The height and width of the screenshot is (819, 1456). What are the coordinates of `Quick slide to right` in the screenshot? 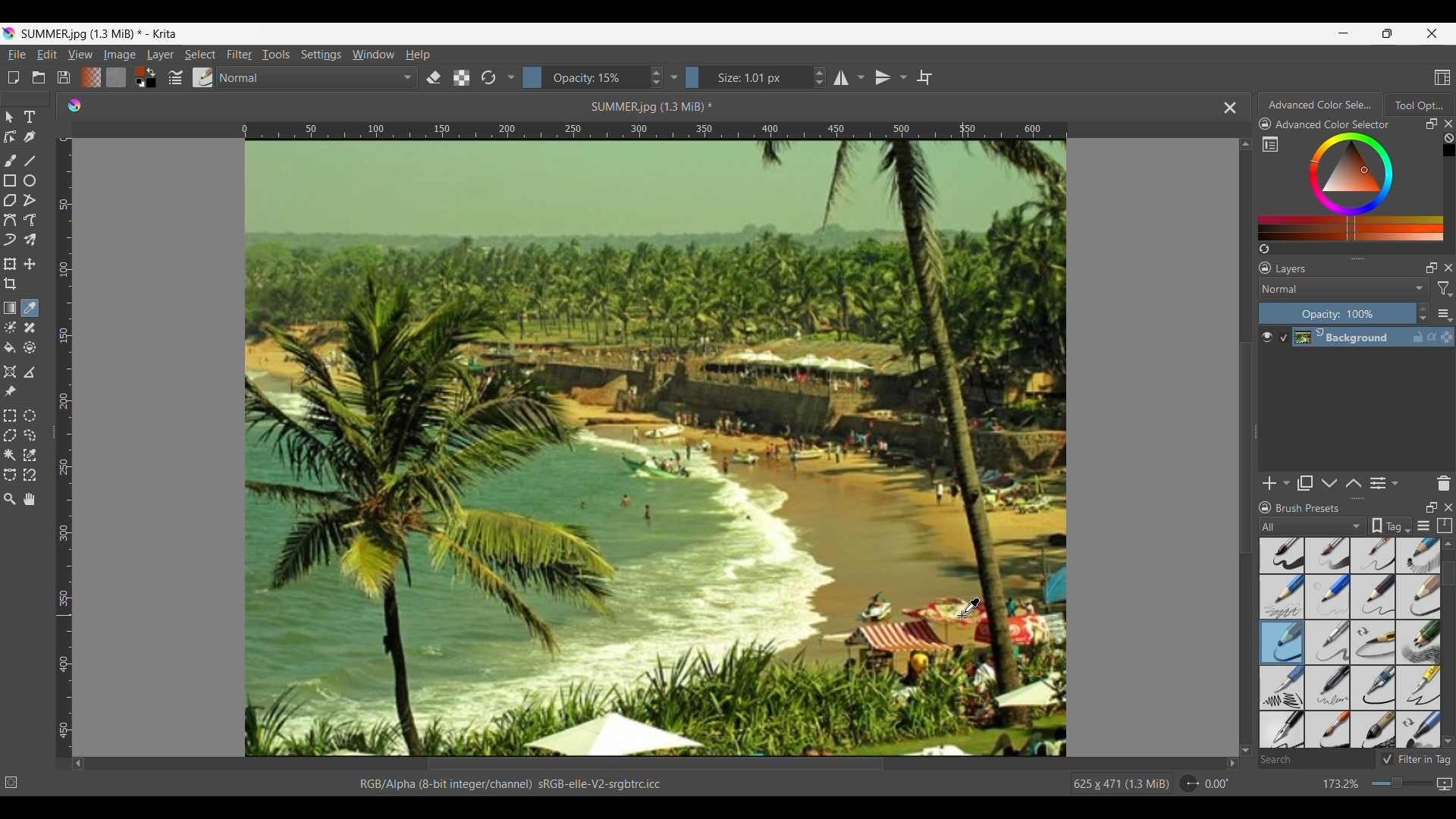 It's located at (1232, 764).